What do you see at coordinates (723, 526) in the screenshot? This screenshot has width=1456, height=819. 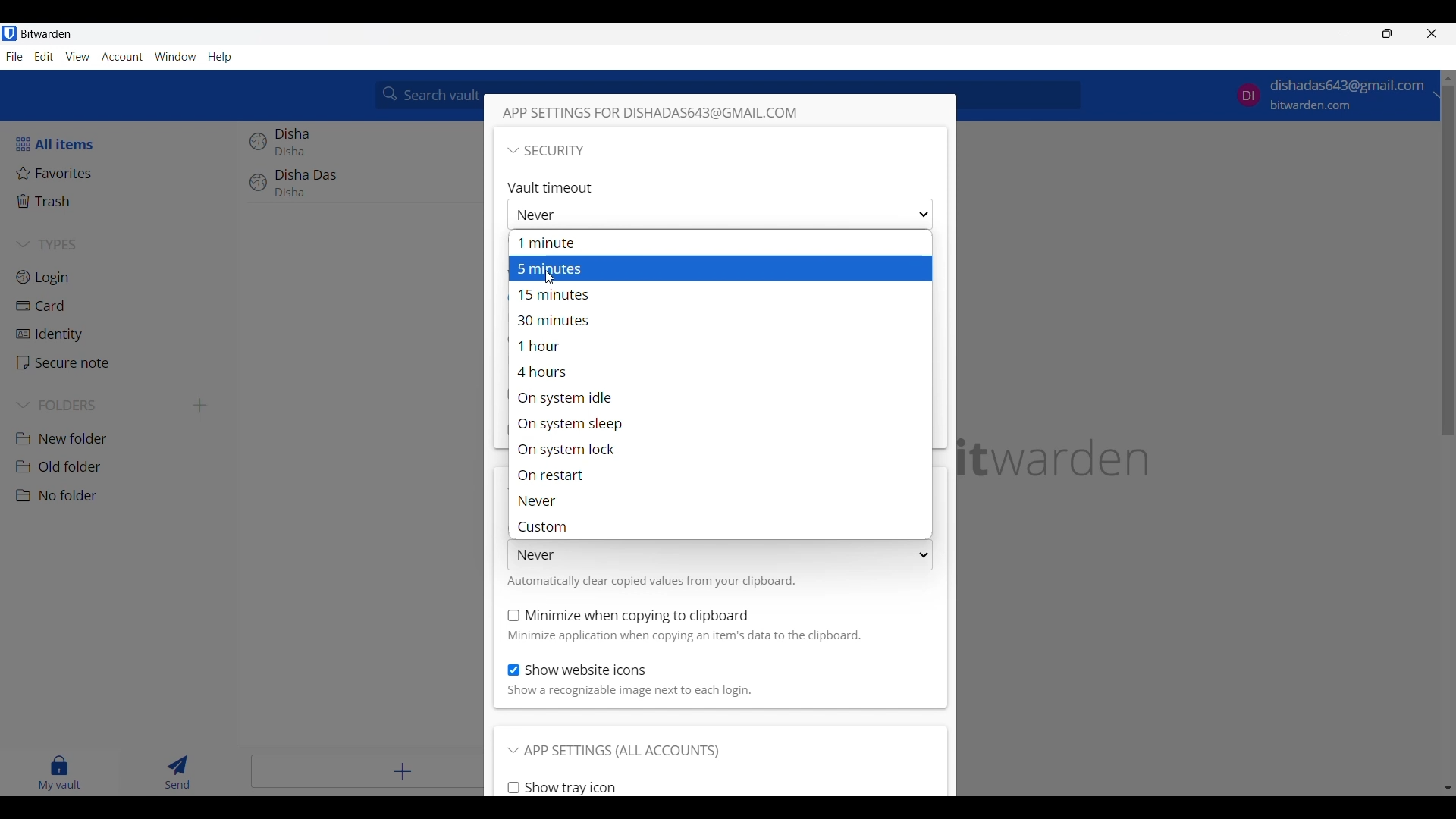 I see `custom` at bounding box center [723, 526].